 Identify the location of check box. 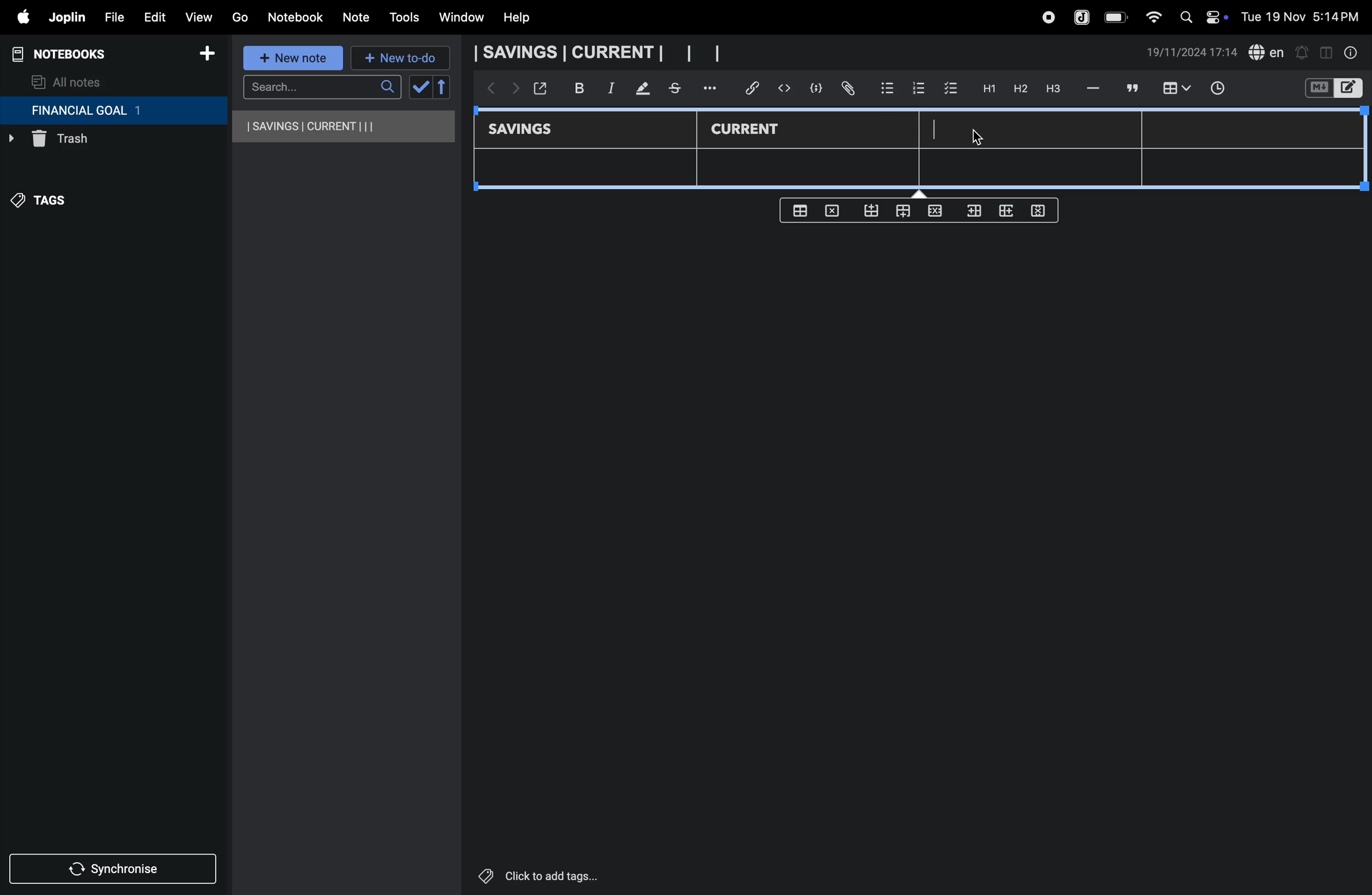
(951, 89).